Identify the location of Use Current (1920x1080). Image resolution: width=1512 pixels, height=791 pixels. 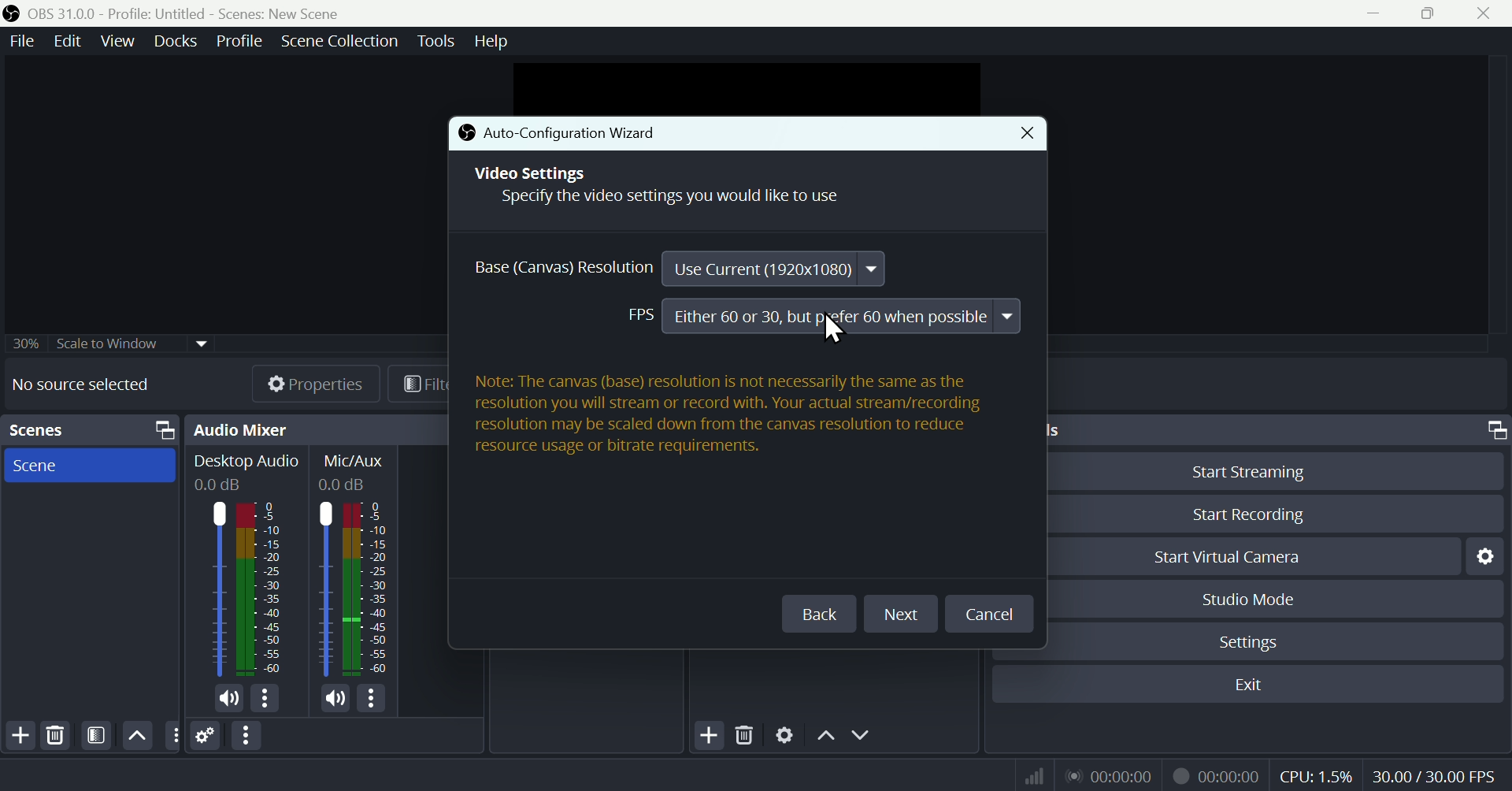
(774, 269).